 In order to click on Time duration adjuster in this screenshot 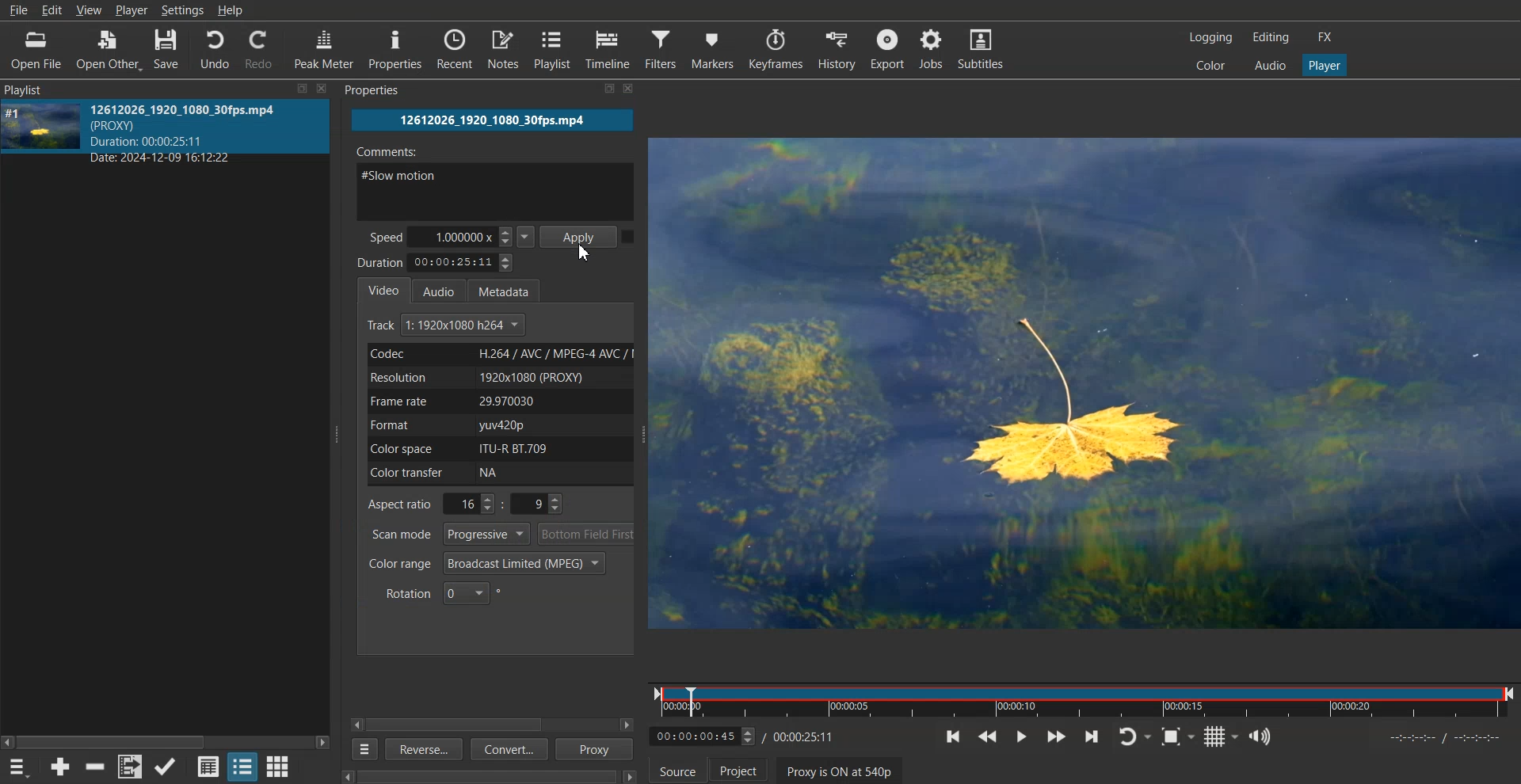, I will do `click(437, 262)`.